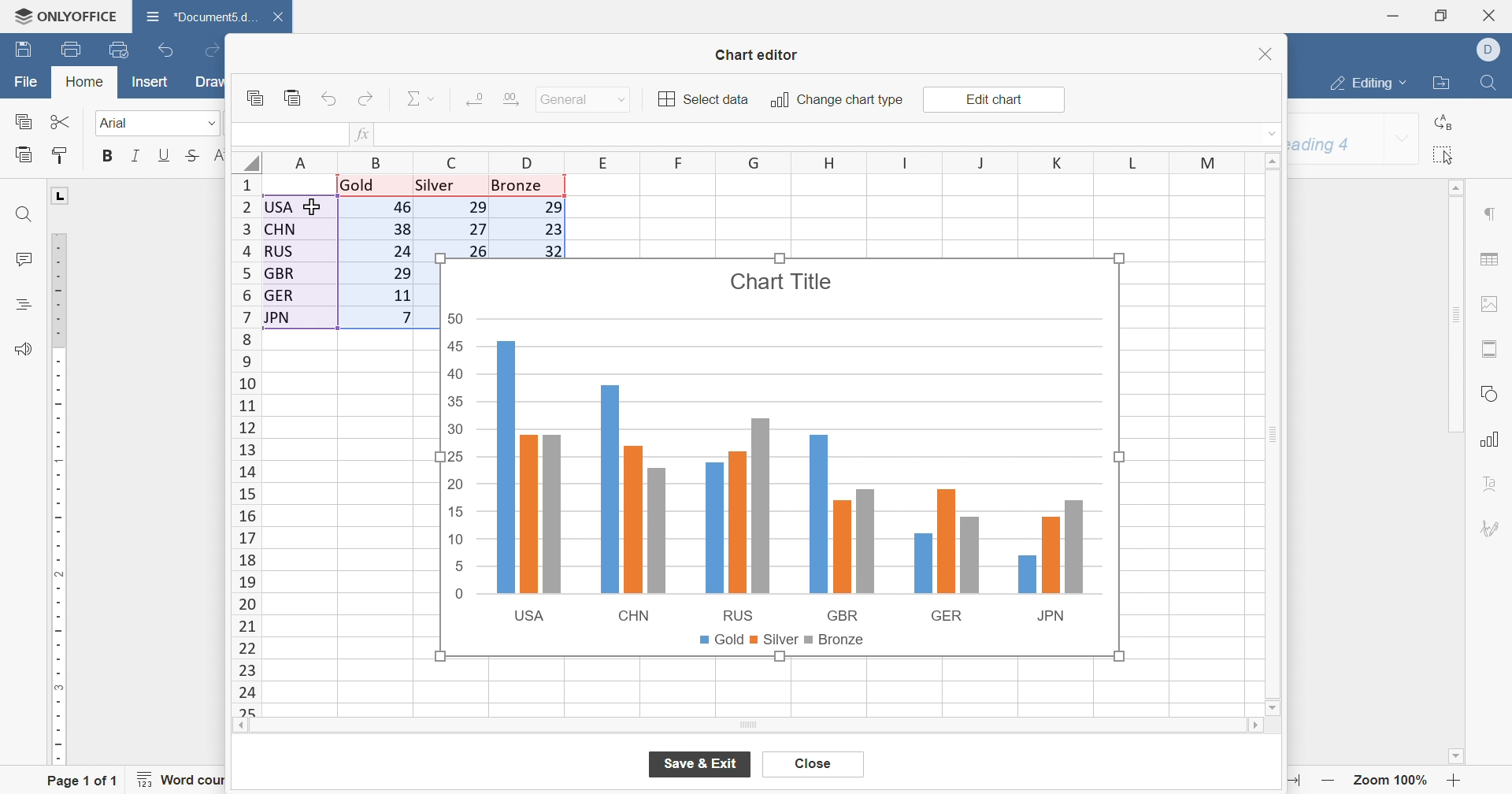  What do you see at coordinates (749, 726) in the screenshot?
I see `scroll bar` at bounding box center [749, 726].